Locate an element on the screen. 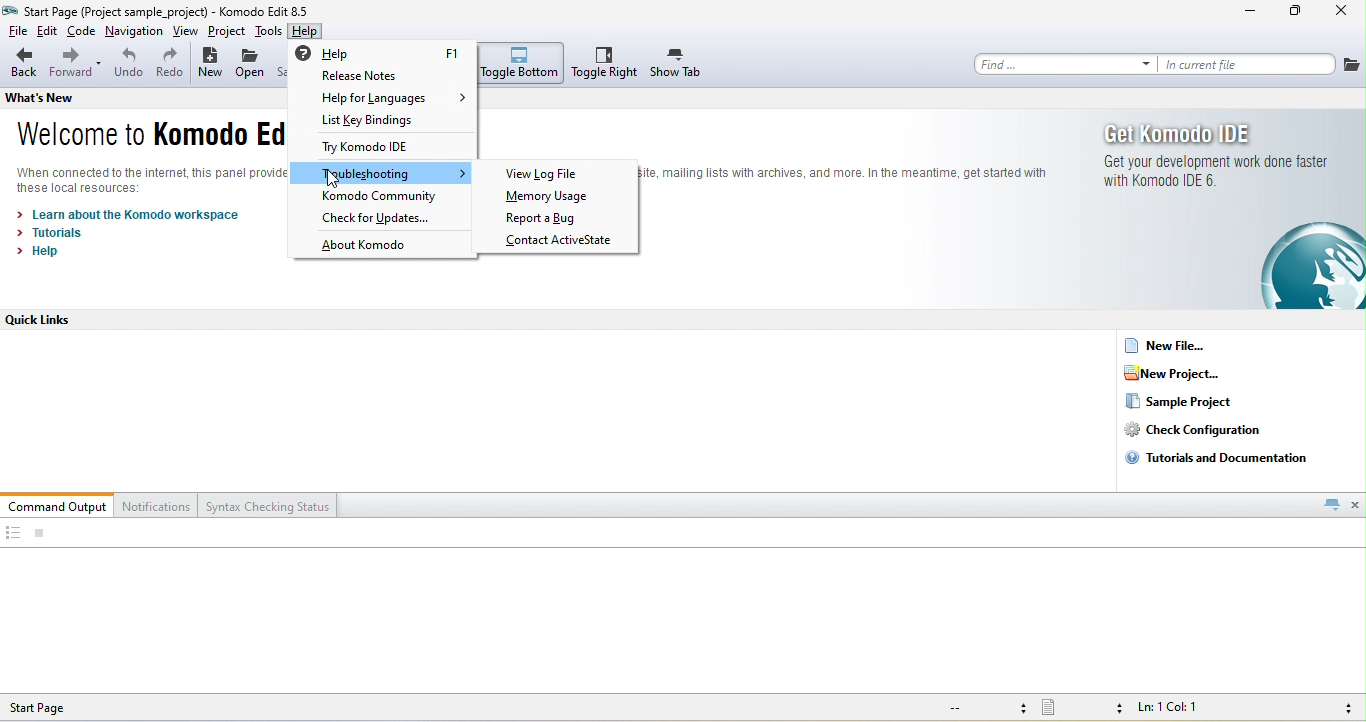 This screenshot has height=722, width=1366. check for updates is located at coordinates (385, 218).